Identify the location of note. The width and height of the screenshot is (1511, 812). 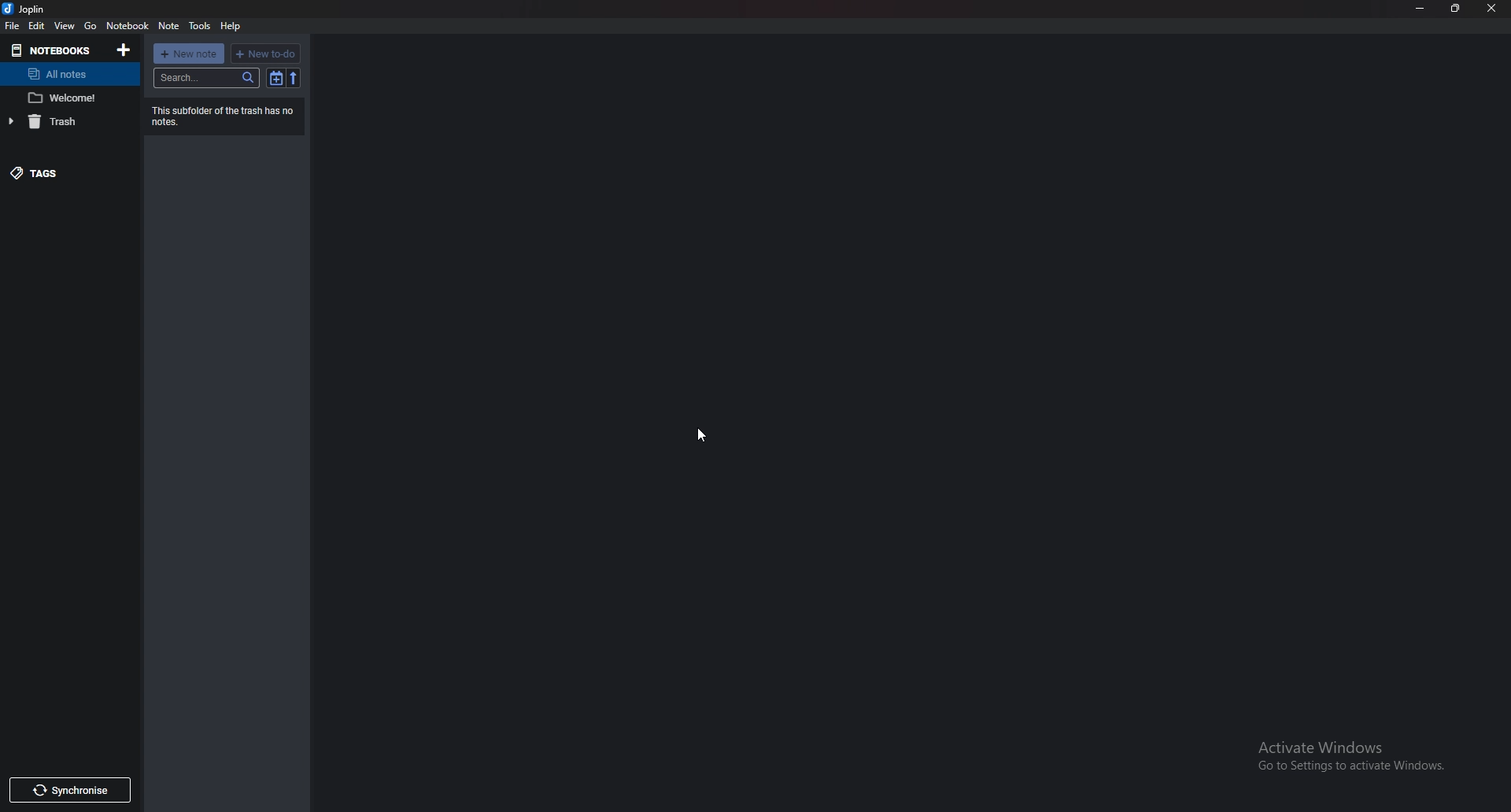
(68, 98).